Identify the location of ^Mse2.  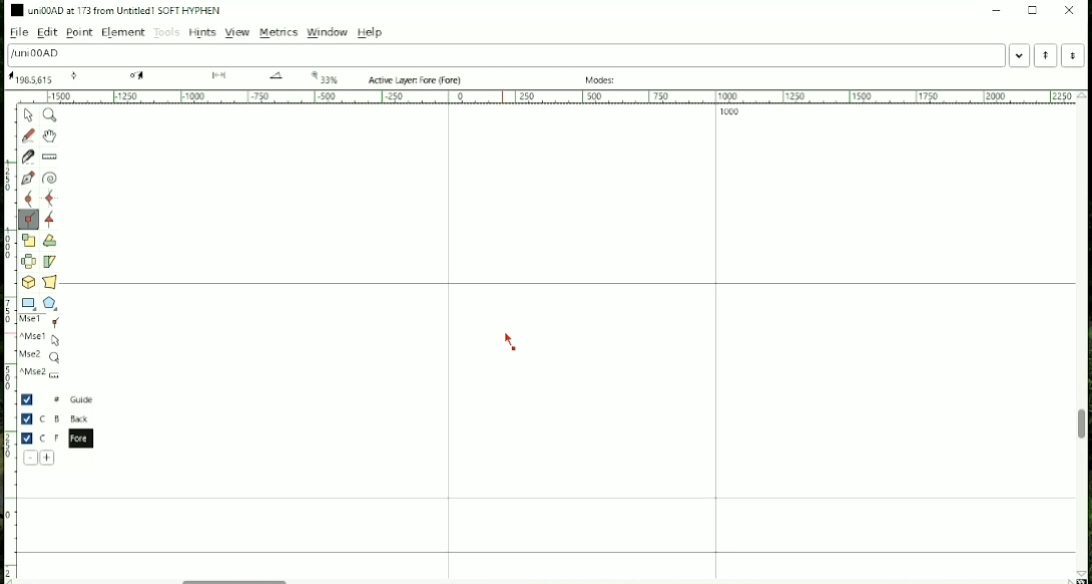
(42, 374).